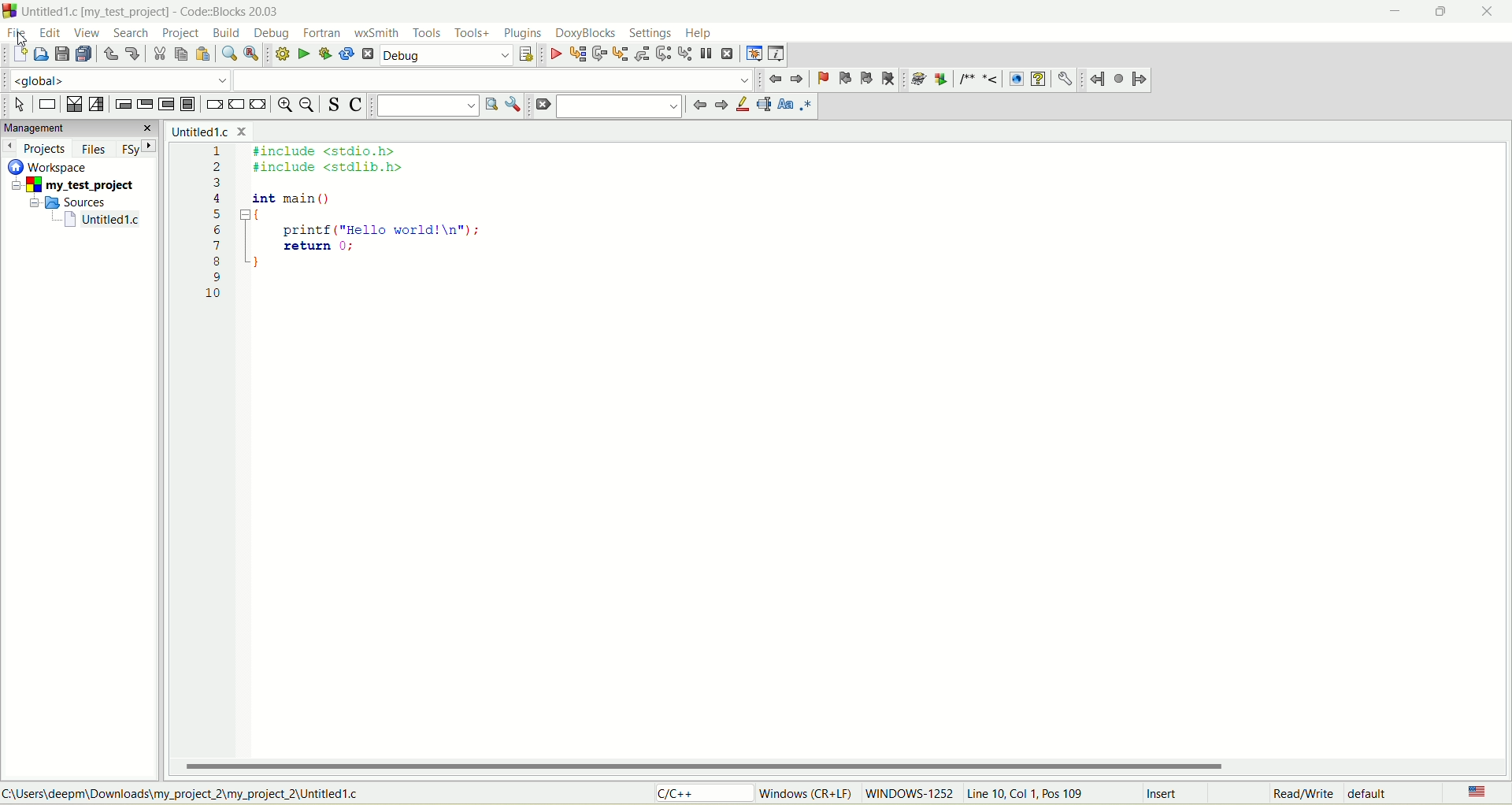 This screenshot has width=1512, height=805. Describe the element at coordinates (1492, 12) in the screenshot. I see `close` at that location.